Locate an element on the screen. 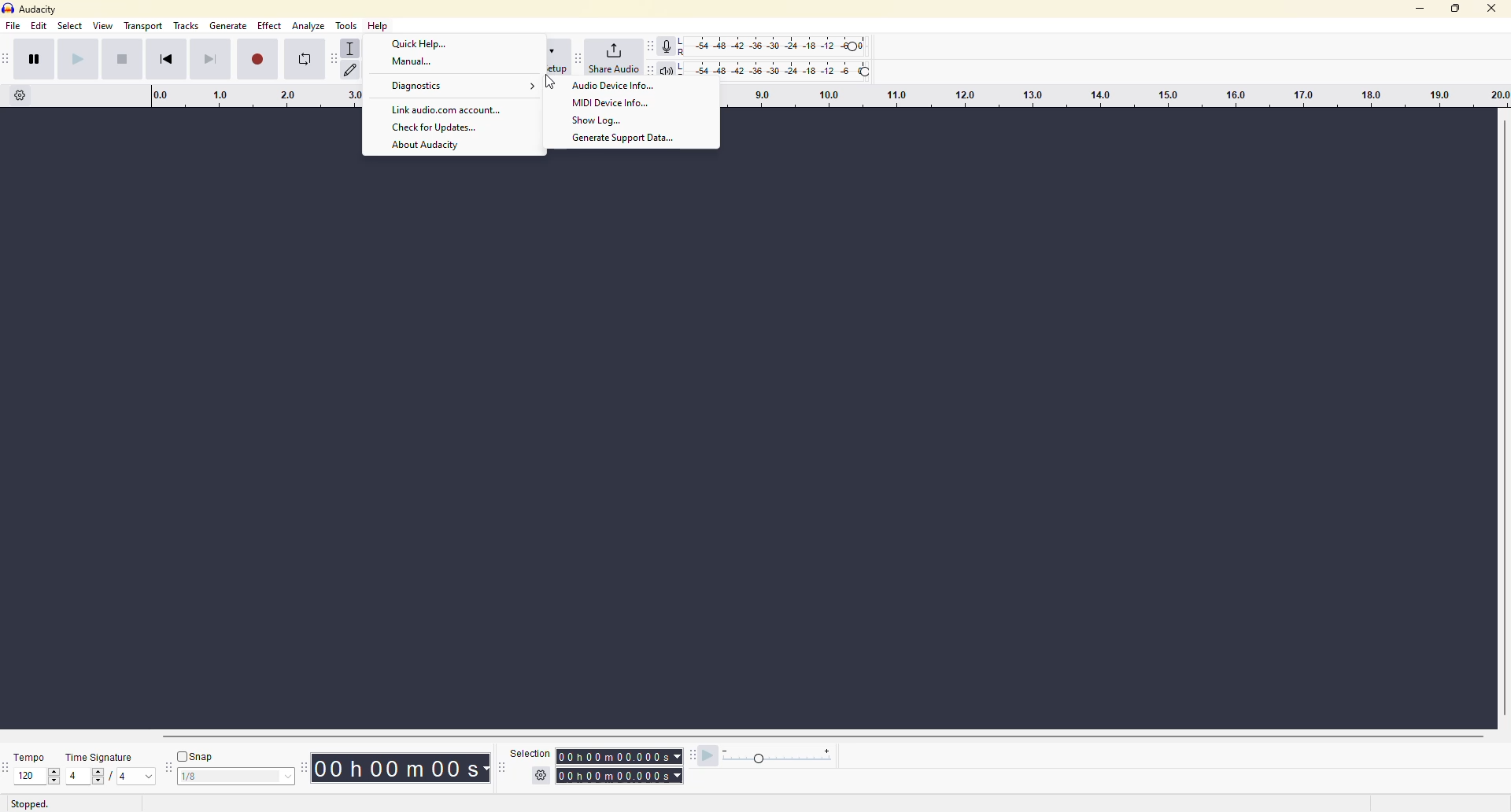 The image size is (1511, 812). file is located at coordinates (16, 26).